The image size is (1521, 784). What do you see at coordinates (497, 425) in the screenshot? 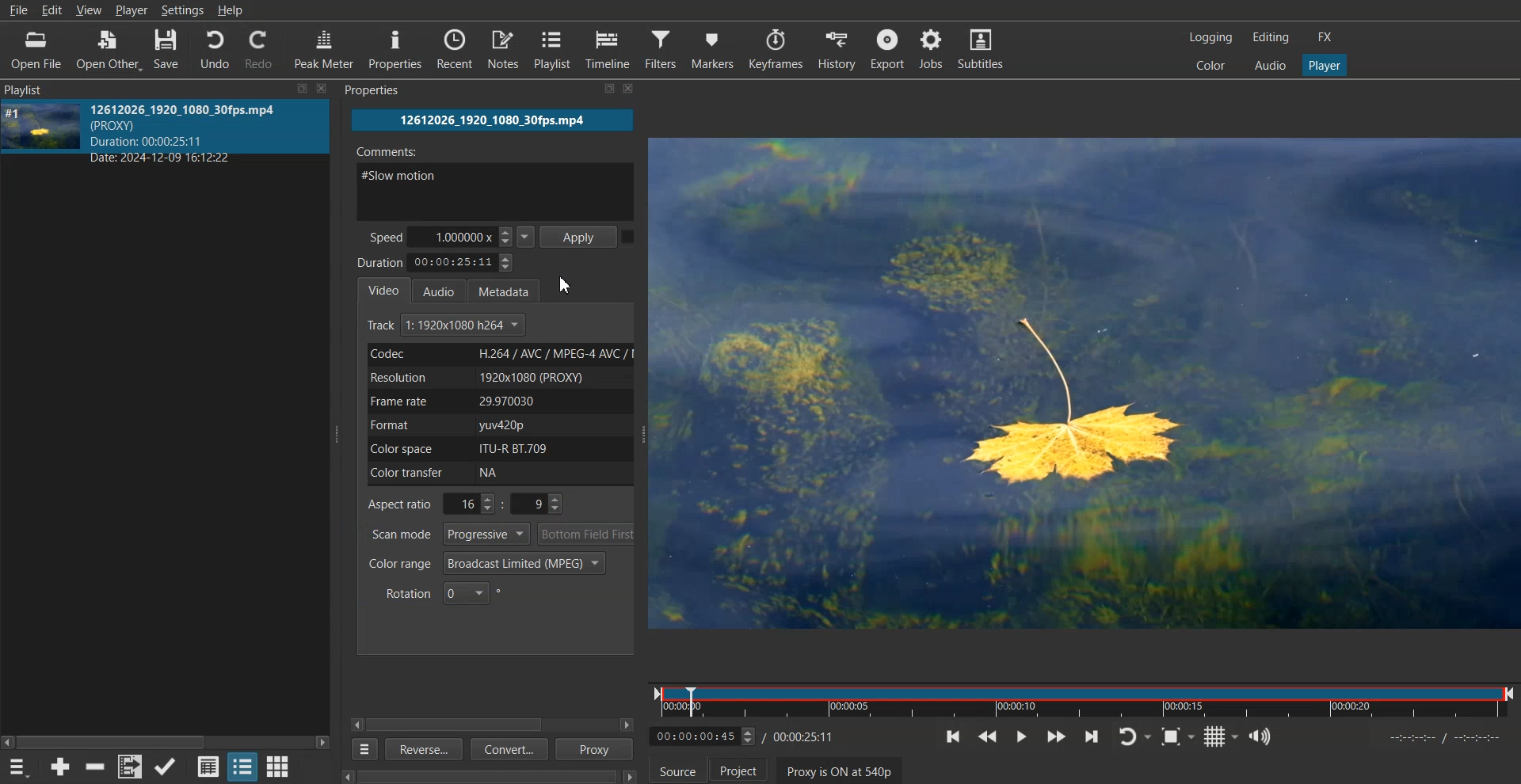
I see `Format` at bounding box center [497, 425].